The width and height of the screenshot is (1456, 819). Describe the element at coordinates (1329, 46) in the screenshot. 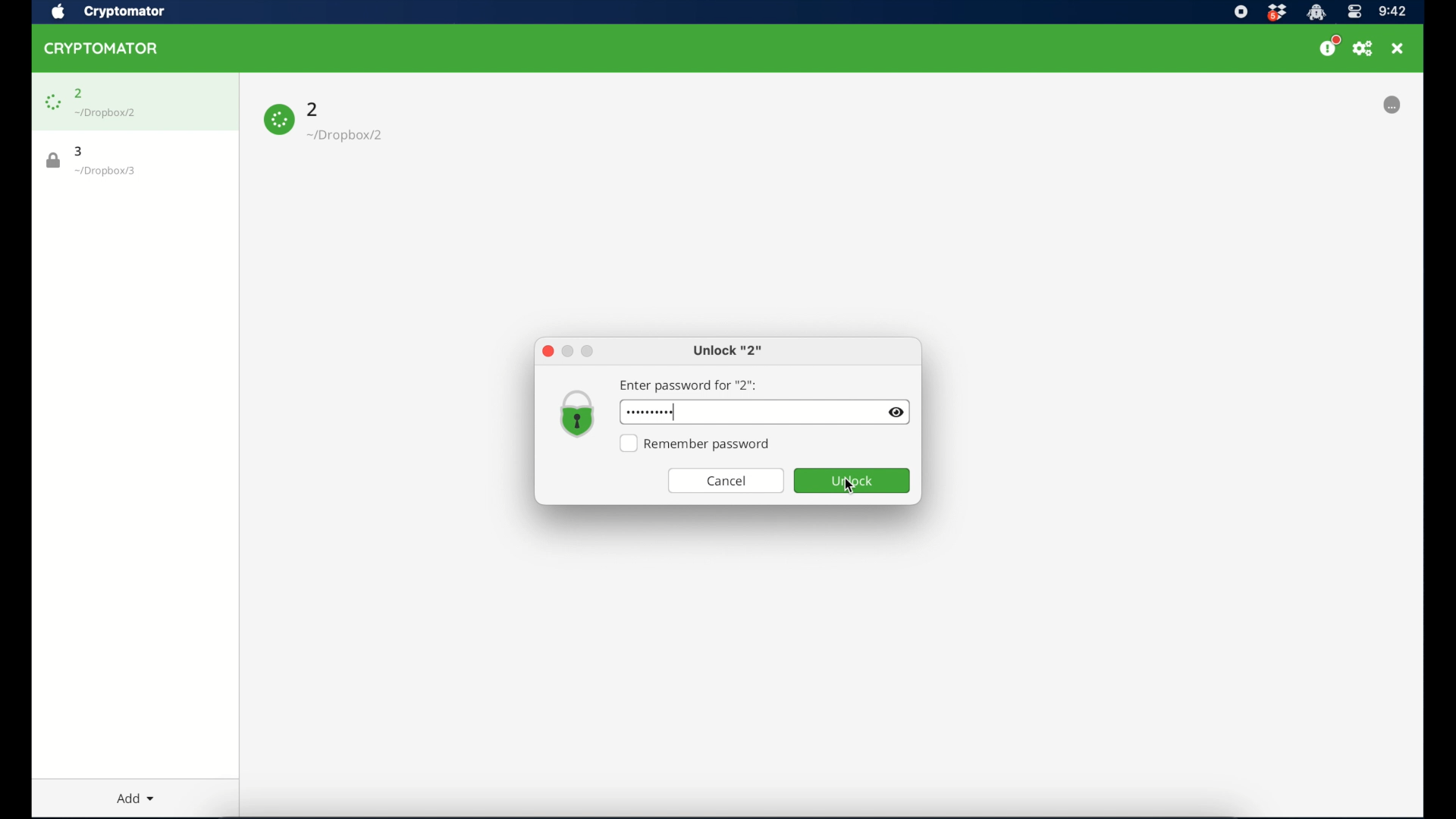

I see `support us` at that location.